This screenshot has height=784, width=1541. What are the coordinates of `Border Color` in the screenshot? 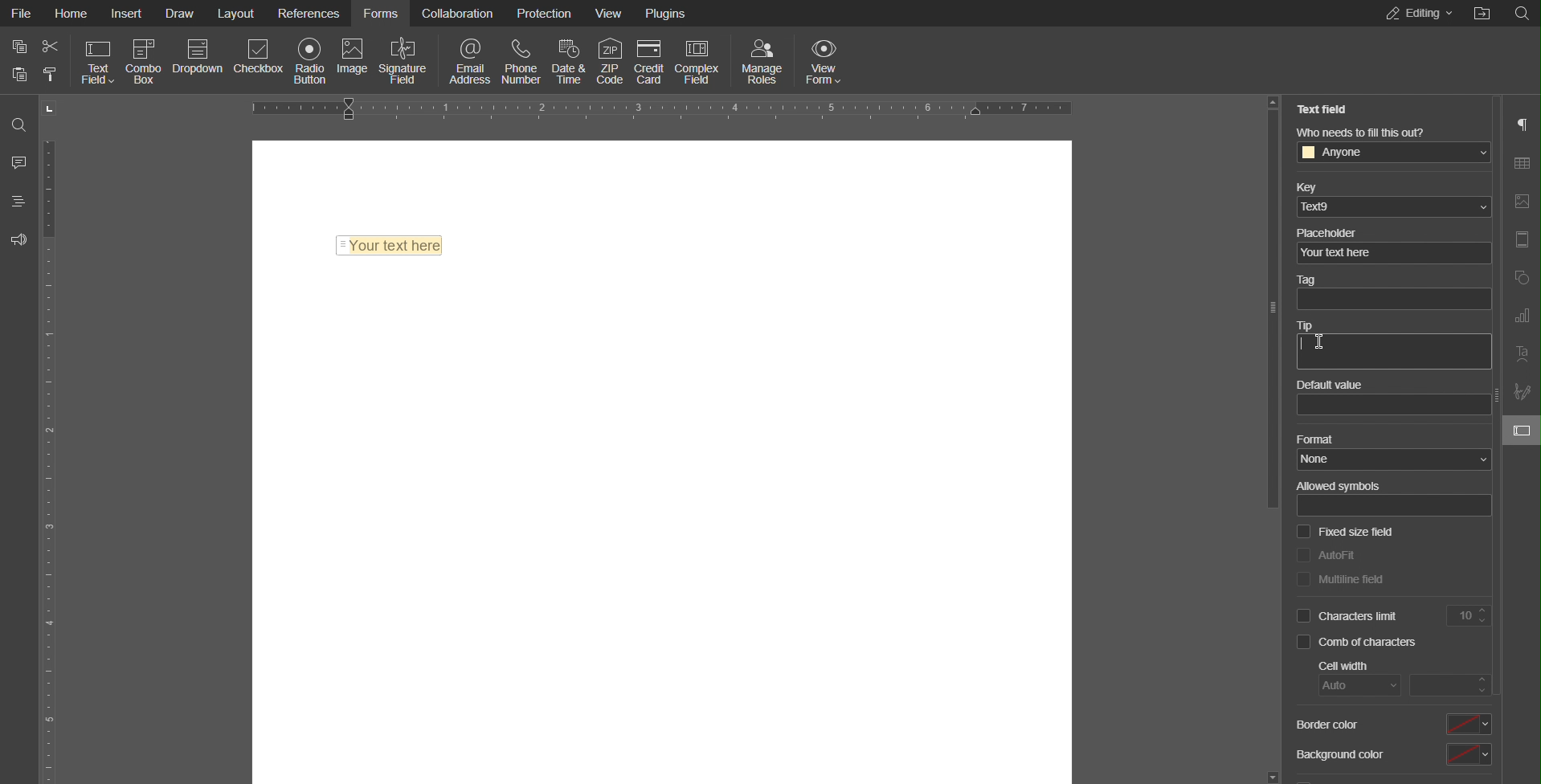 It's located at (1330, 725).